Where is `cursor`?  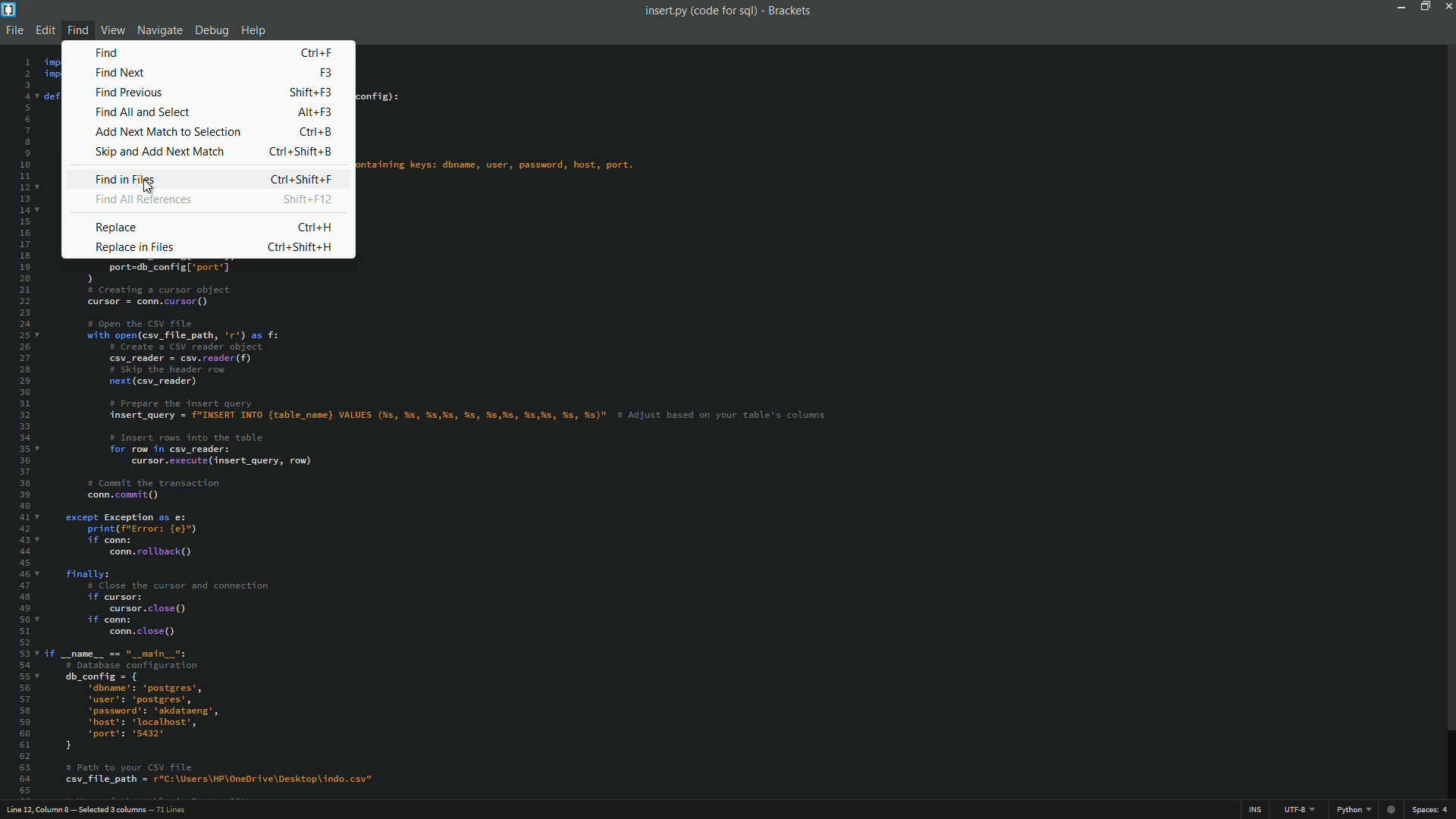 cursor is located at coordinates (149, 186).